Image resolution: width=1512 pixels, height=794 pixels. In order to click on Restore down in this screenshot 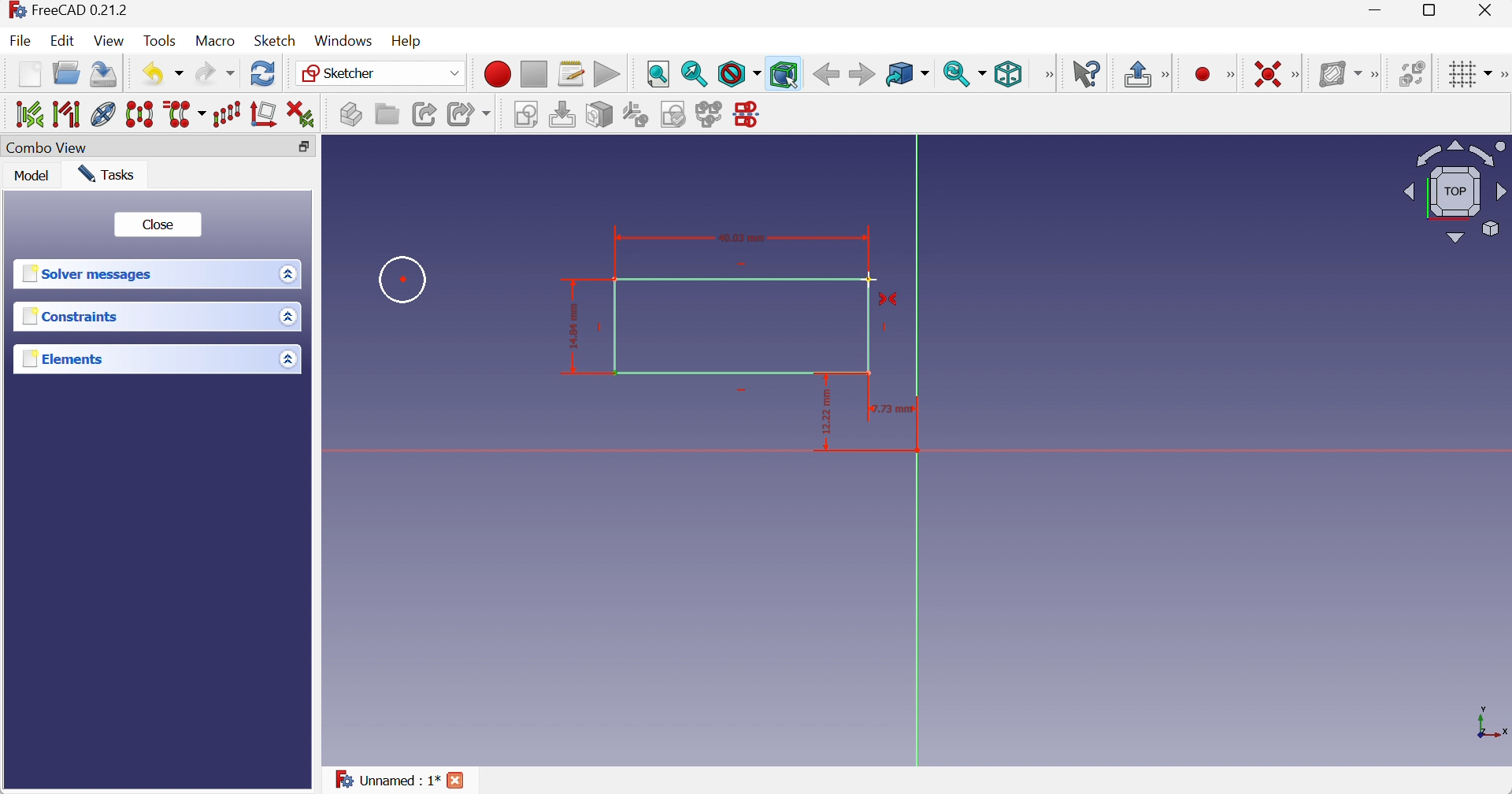, I will do `click(305, 148)`.